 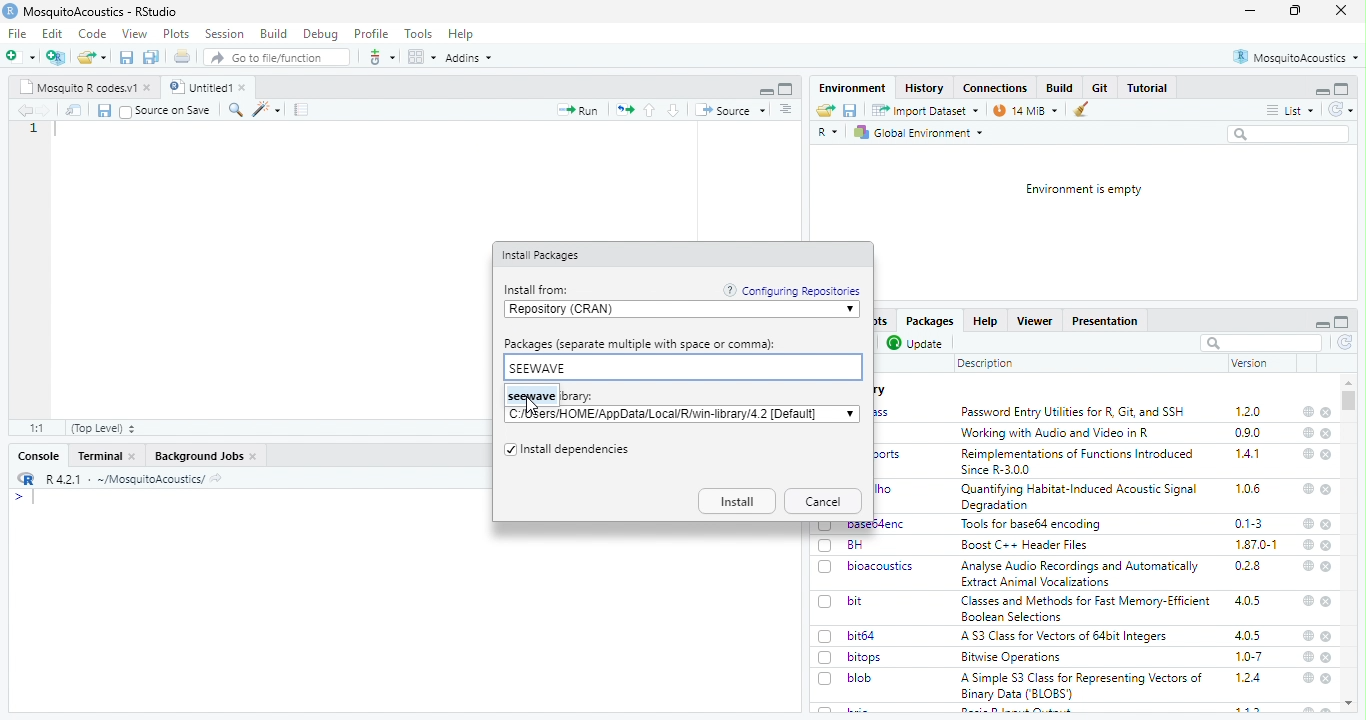 I want to click on Go to file/function, so click(x=275, y=57).